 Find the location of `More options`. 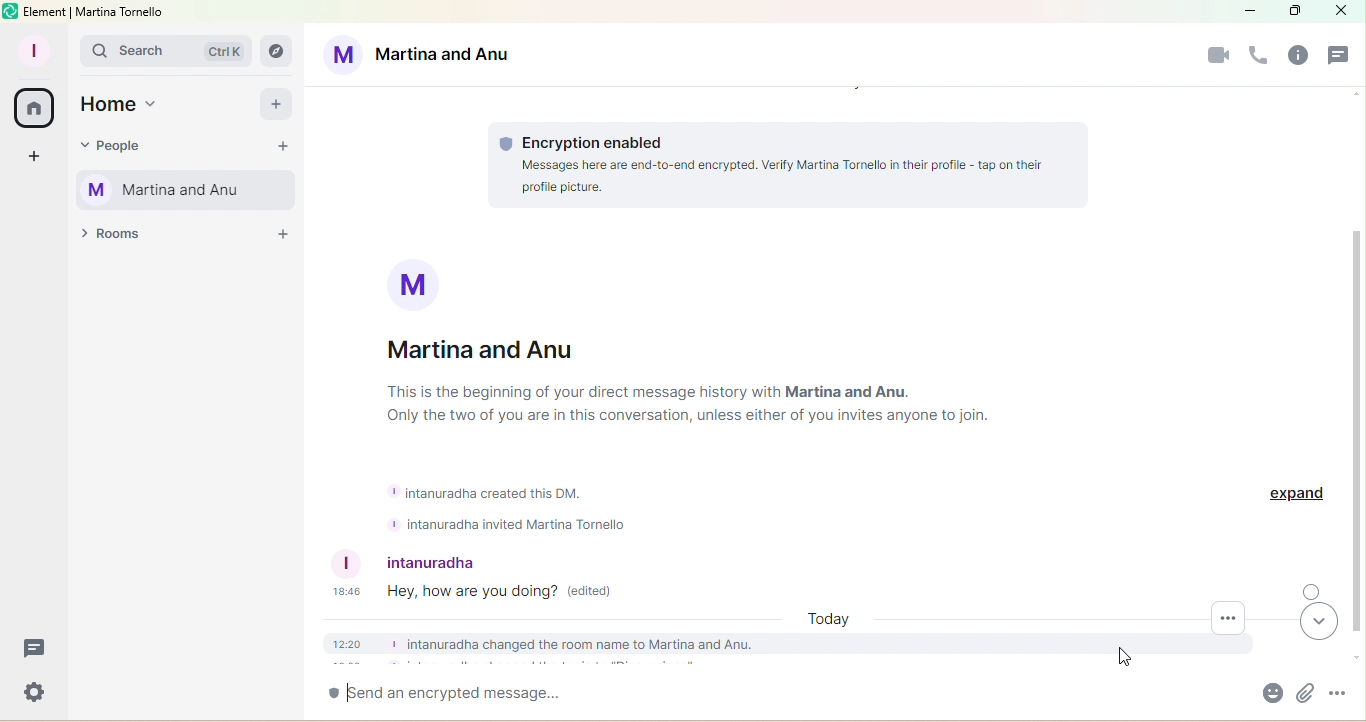

More options is located at coordinates (1228, 618).